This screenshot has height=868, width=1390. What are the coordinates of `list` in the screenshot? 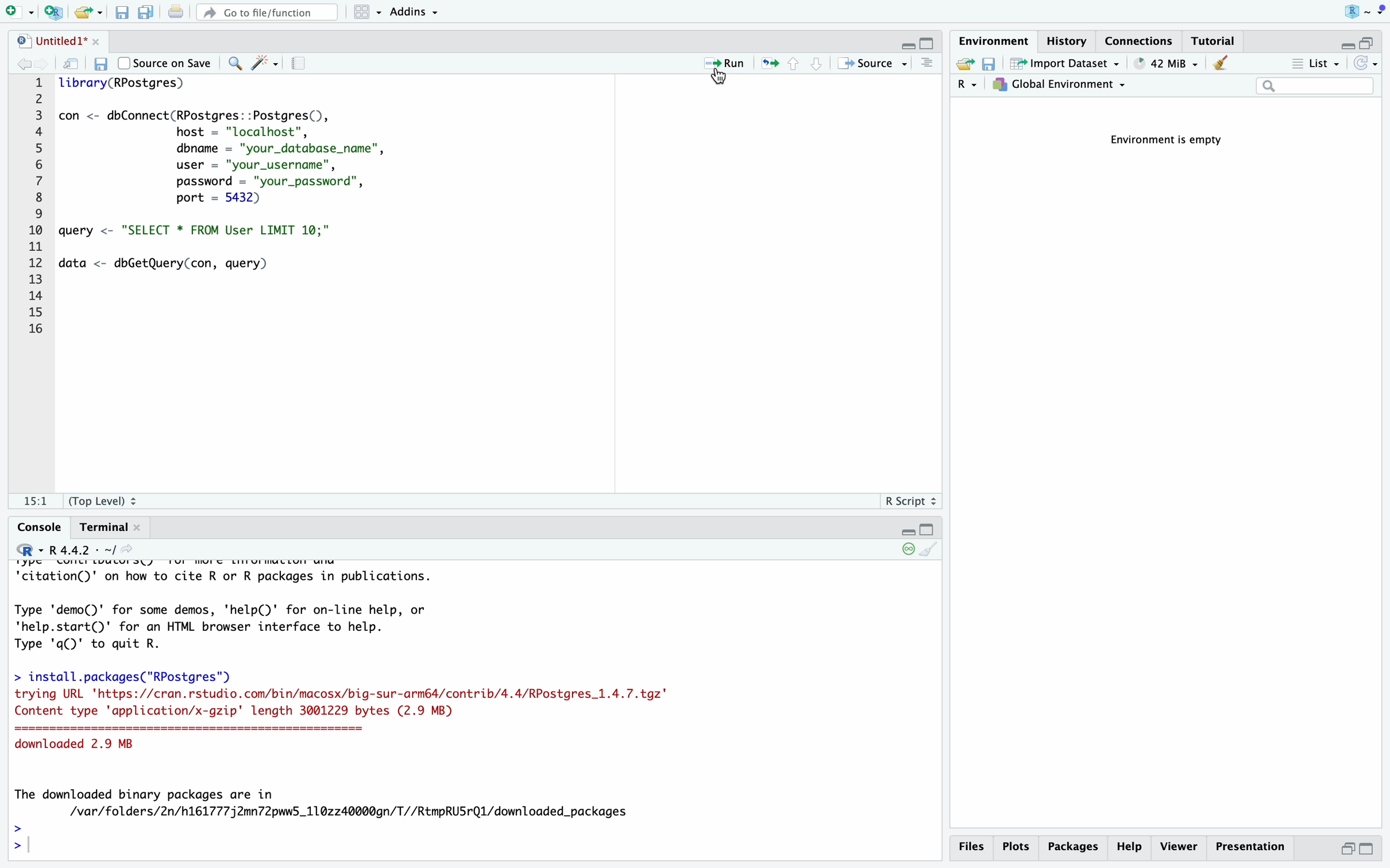 It's located at (1314, 65).